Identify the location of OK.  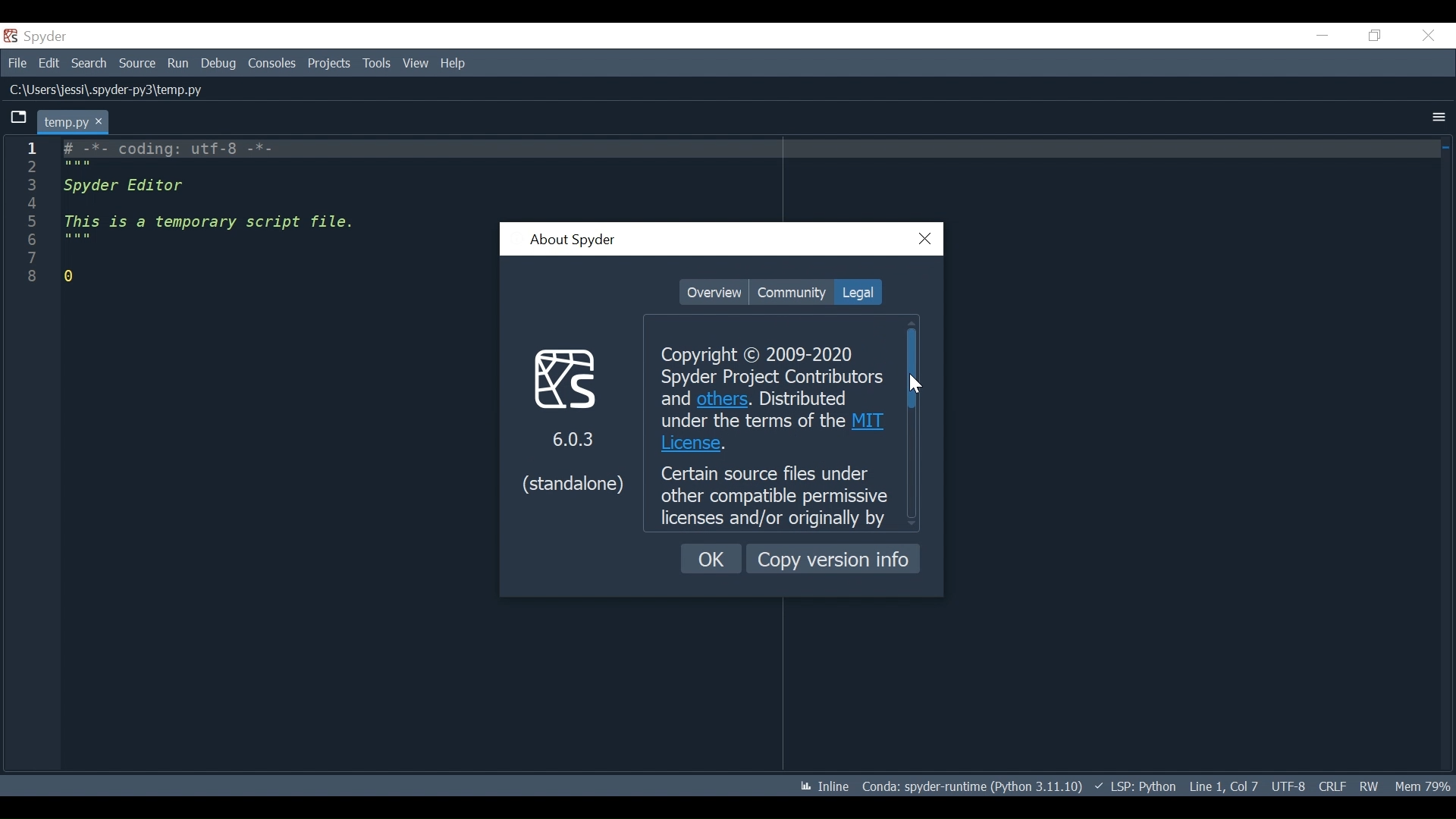
(712, 559).